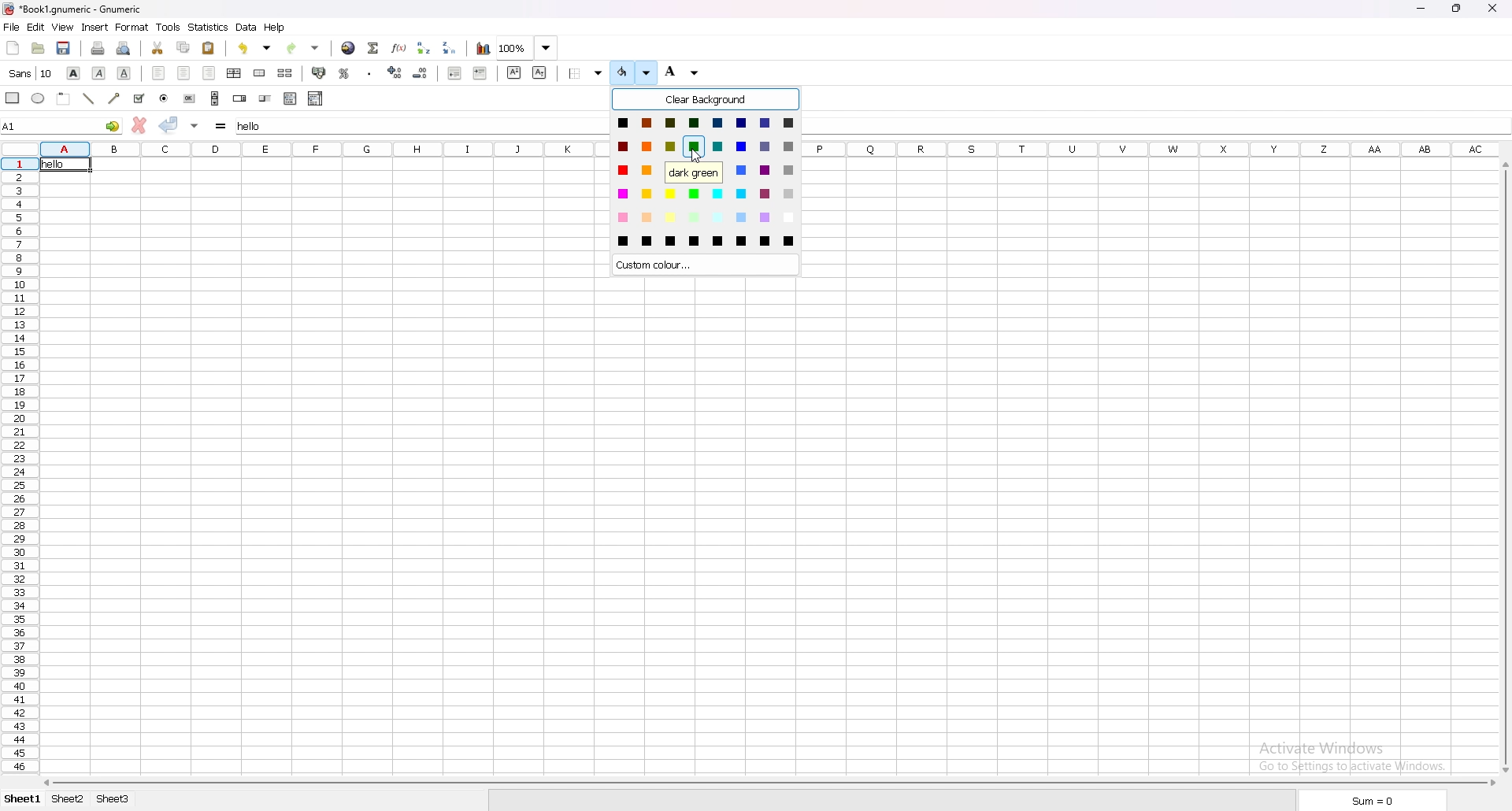  Describe the element at coordinates (31, 72) in the screenshot. I see `font` at that location.